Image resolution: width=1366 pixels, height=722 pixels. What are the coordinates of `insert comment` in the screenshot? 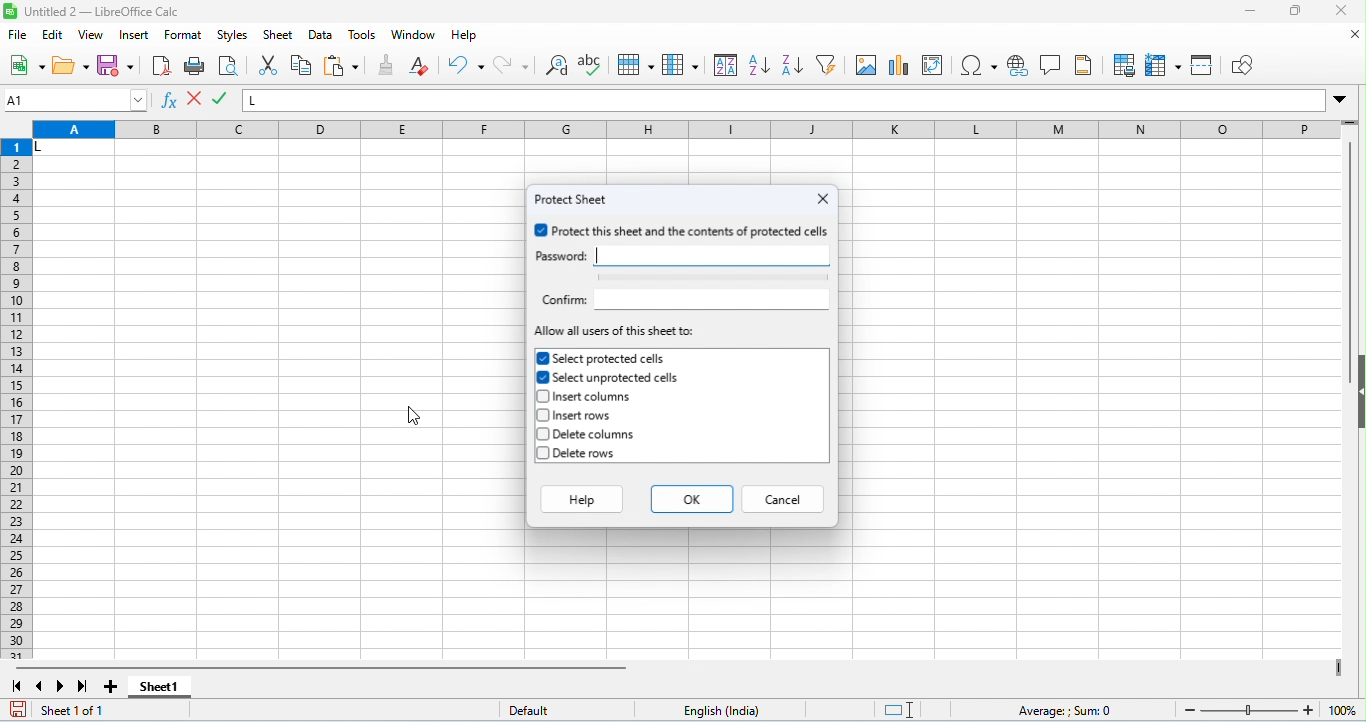 It's located at (1052, 65).